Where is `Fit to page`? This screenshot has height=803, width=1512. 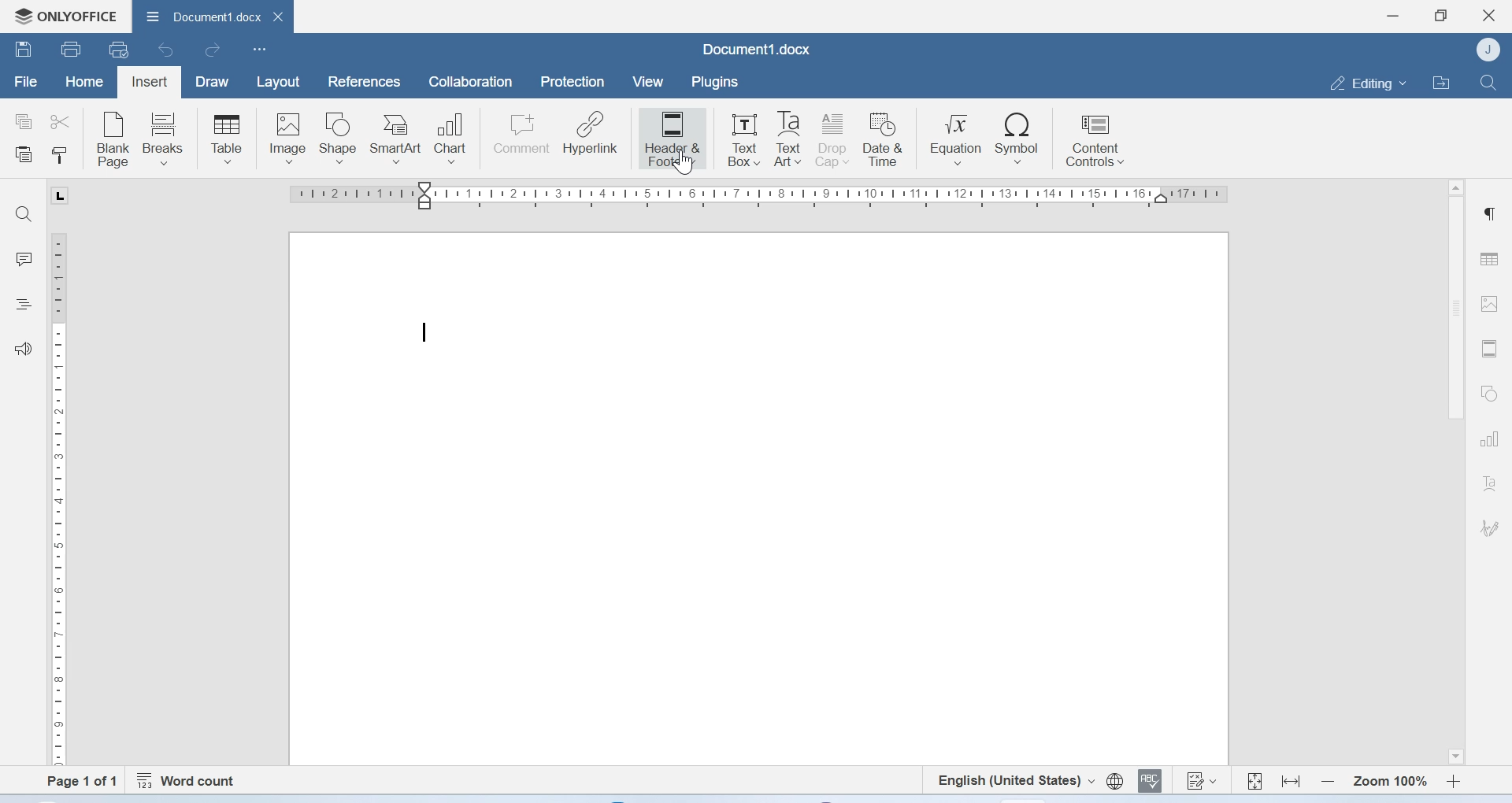
Fit to page is located at coordinates (1254, 779).